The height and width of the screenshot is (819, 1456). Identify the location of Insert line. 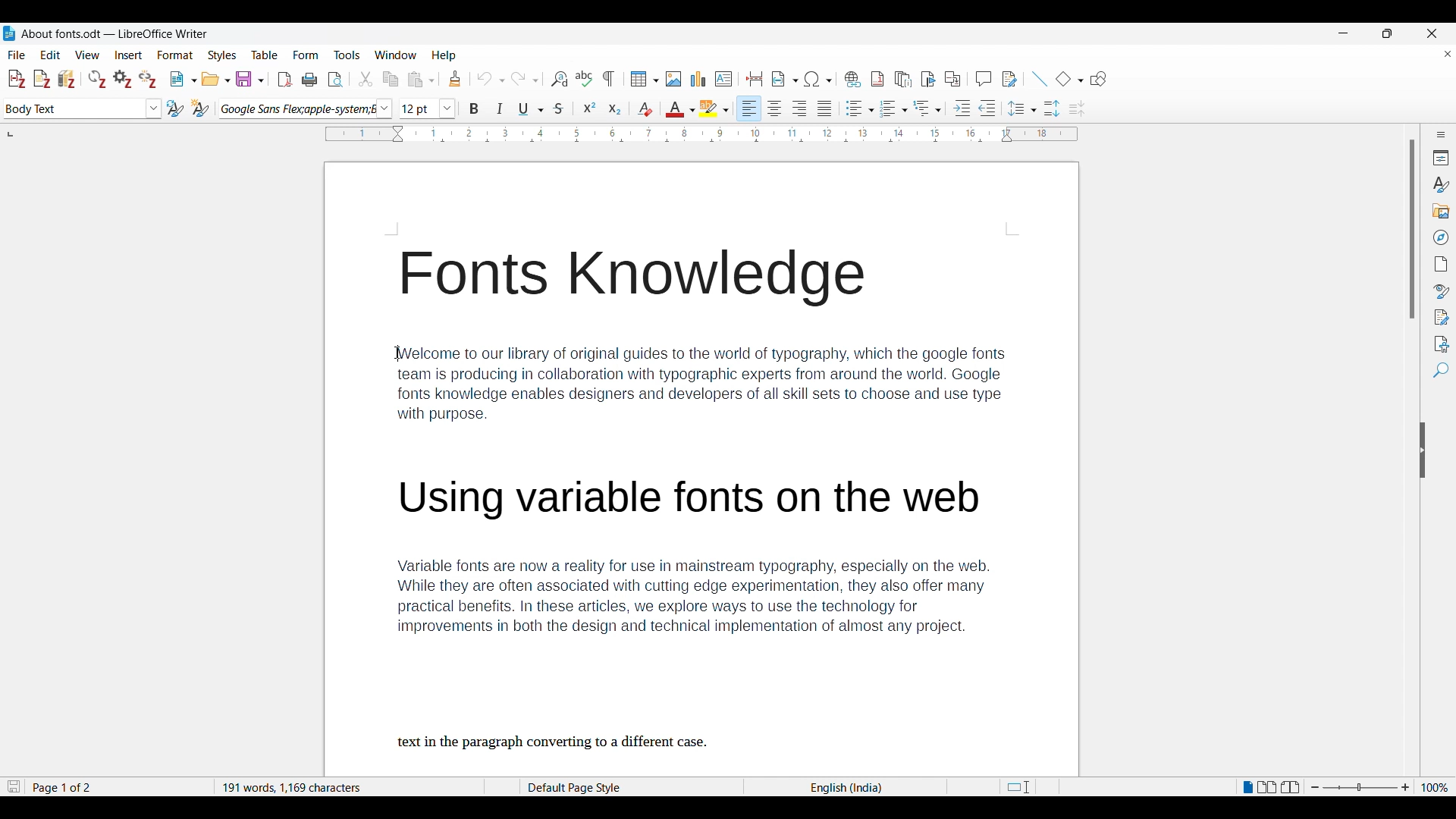
(1040, 79).